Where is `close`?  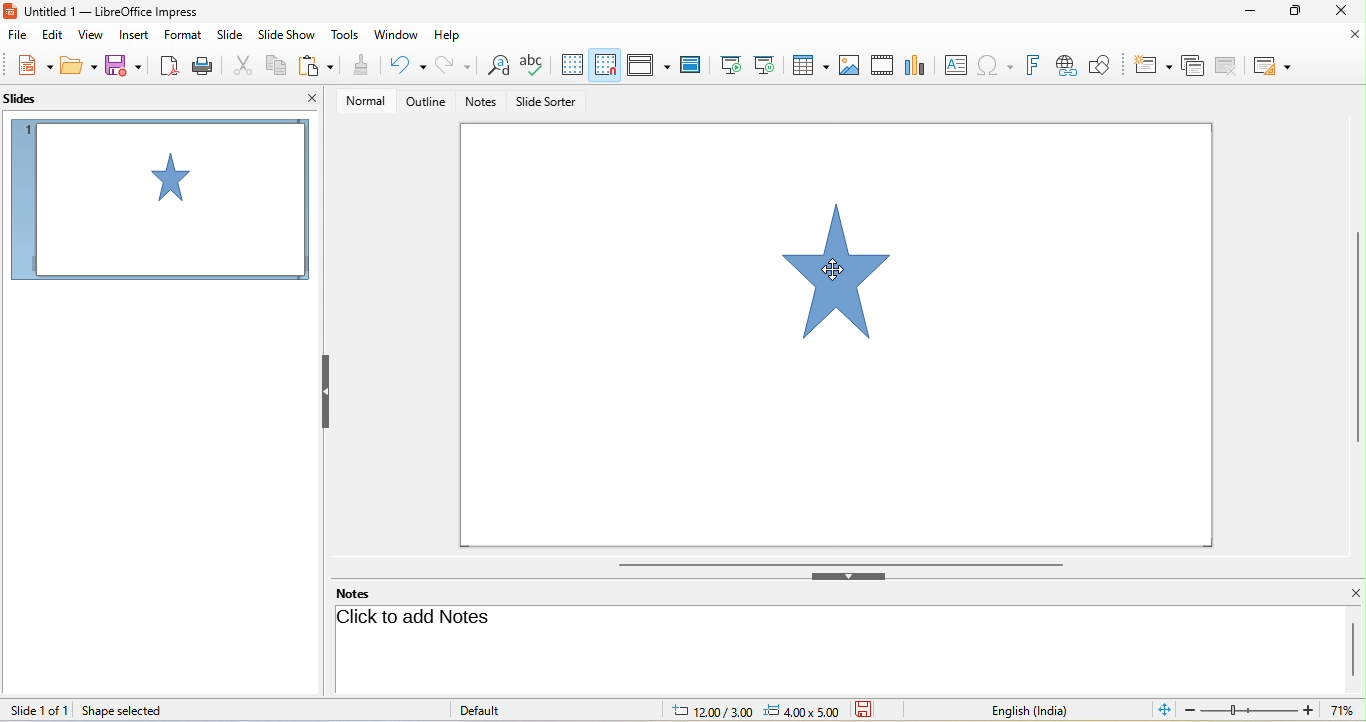
close is located at coordinates (308, 99).